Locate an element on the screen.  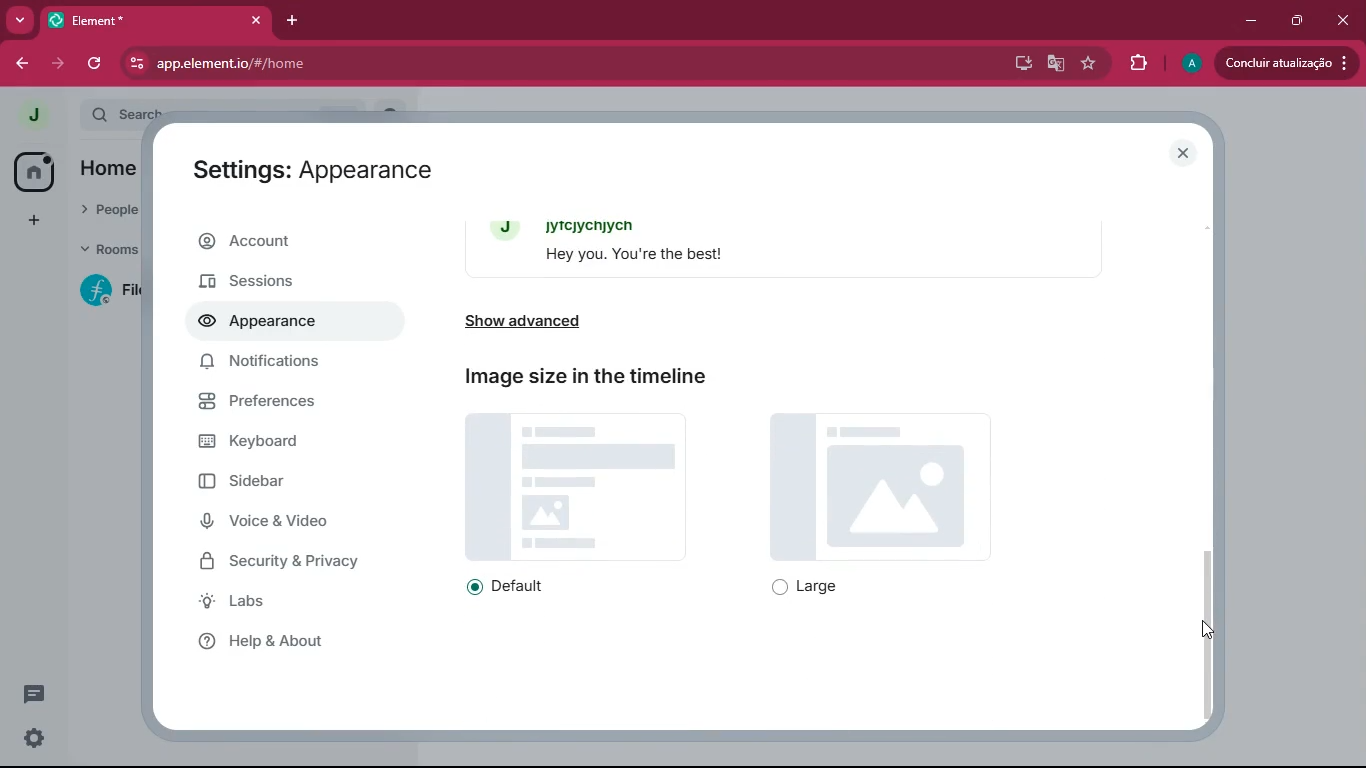
add is located at coordinates (26, 221).